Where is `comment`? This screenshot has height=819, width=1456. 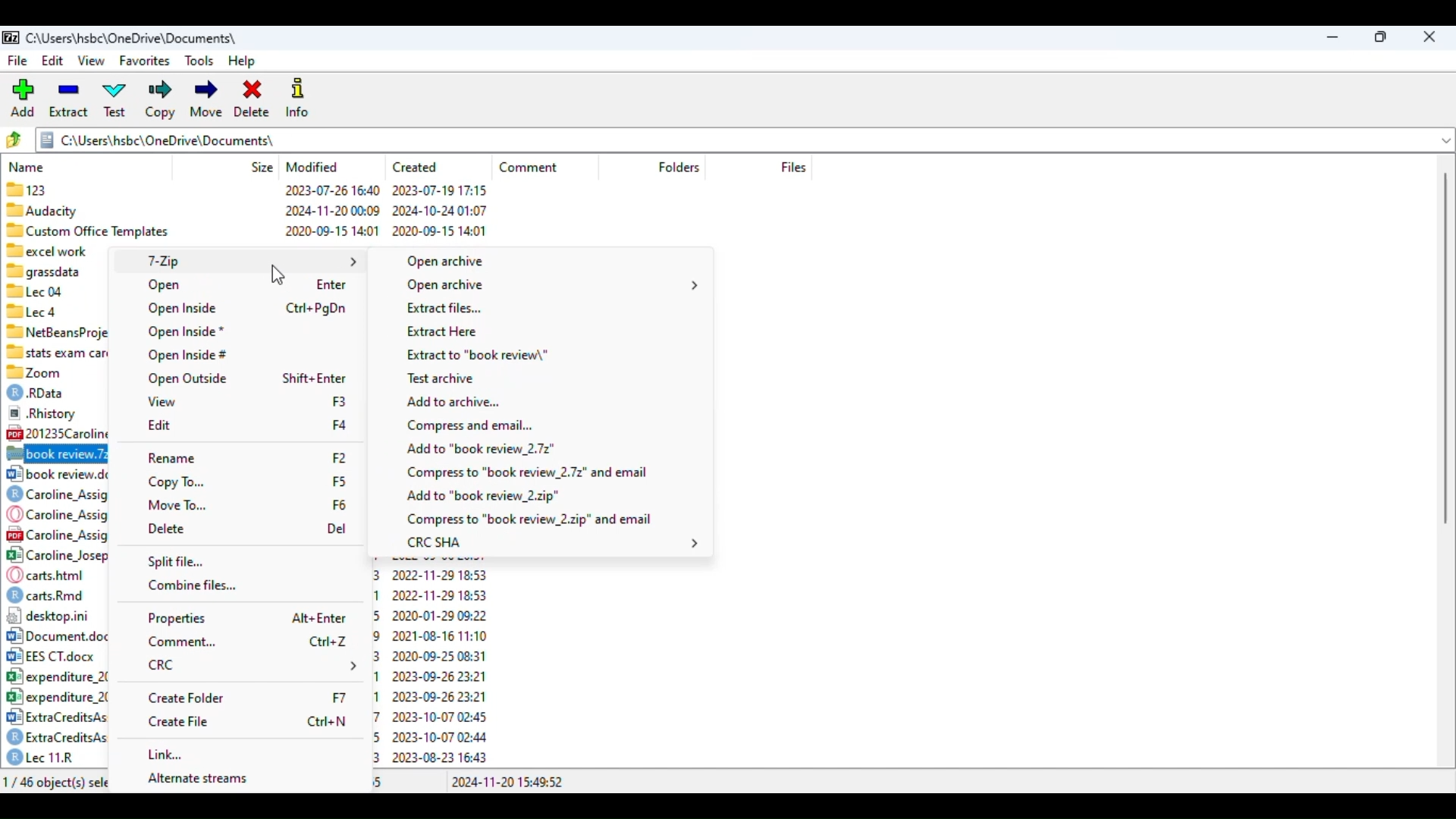
comment is located at coordinates (182, 642).